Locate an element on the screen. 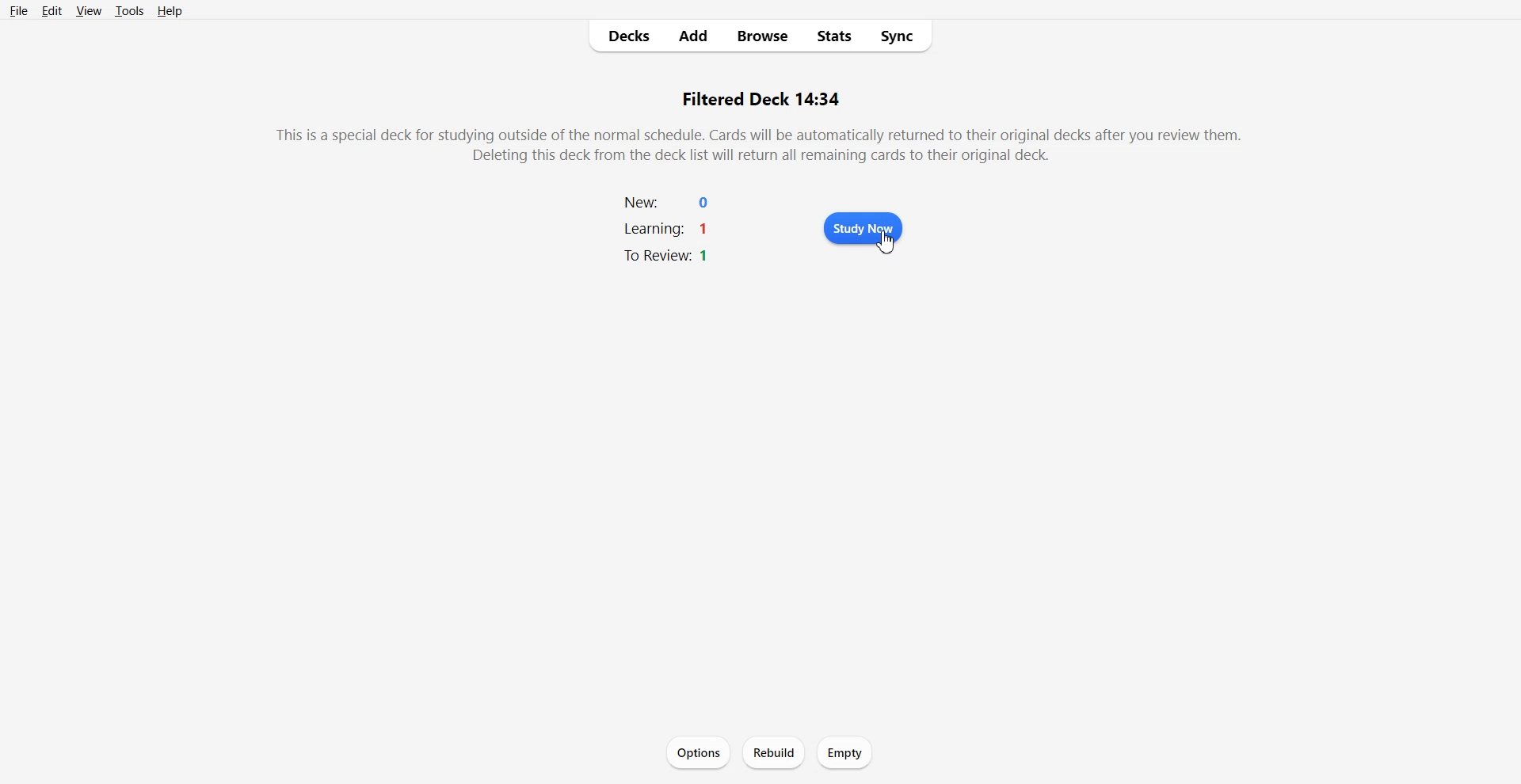 The image size is (1521, 784). Browse is located at coordinates (762, 36).